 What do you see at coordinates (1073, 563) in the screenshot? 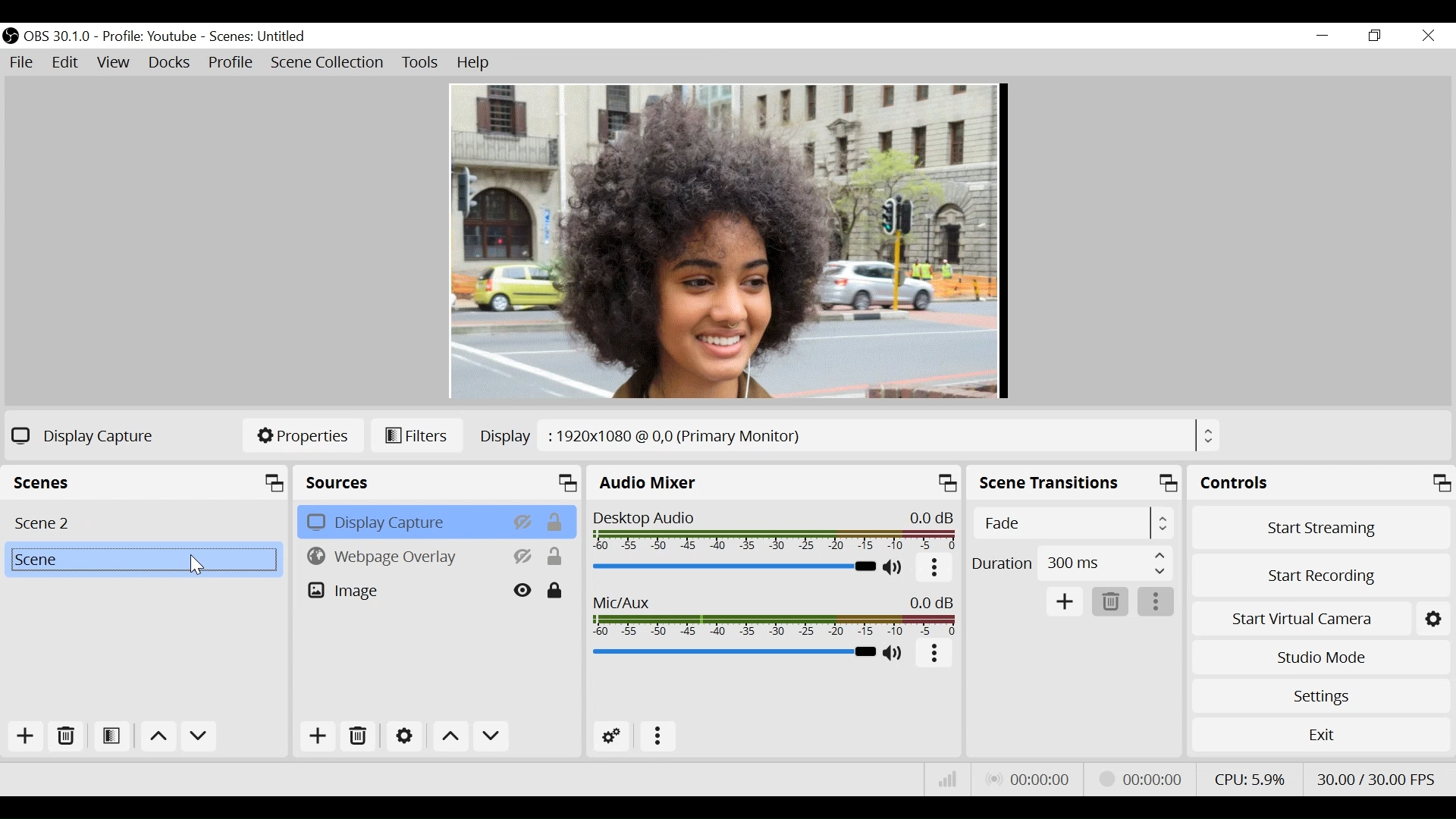
I see `Duration` at bounding box center [1073, 563].